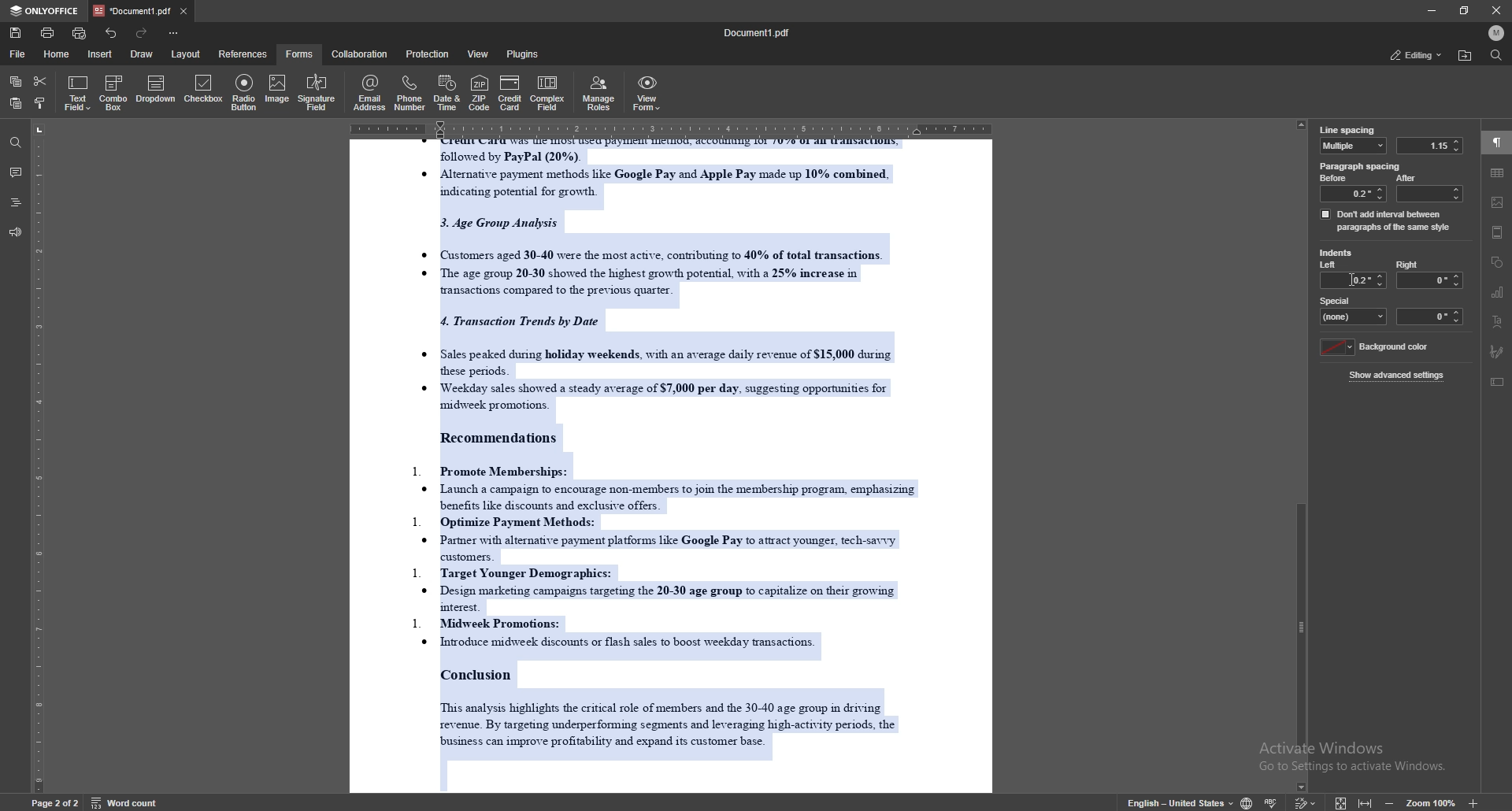 Image resolution: width=1512 pixels, height=811 pixels. I want to click on track change, so click(1306, 801).